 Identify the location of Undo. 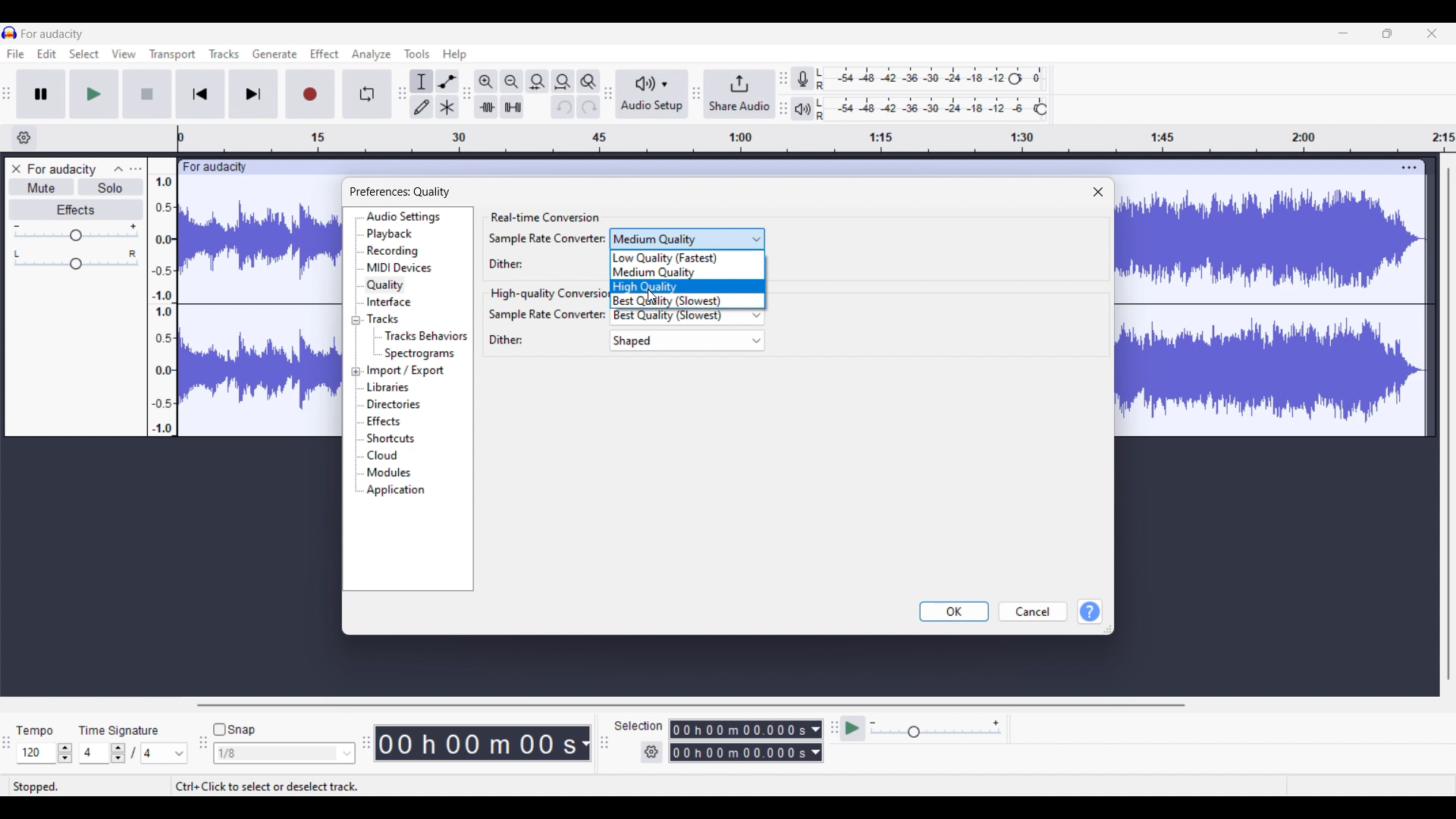
(563, 107).